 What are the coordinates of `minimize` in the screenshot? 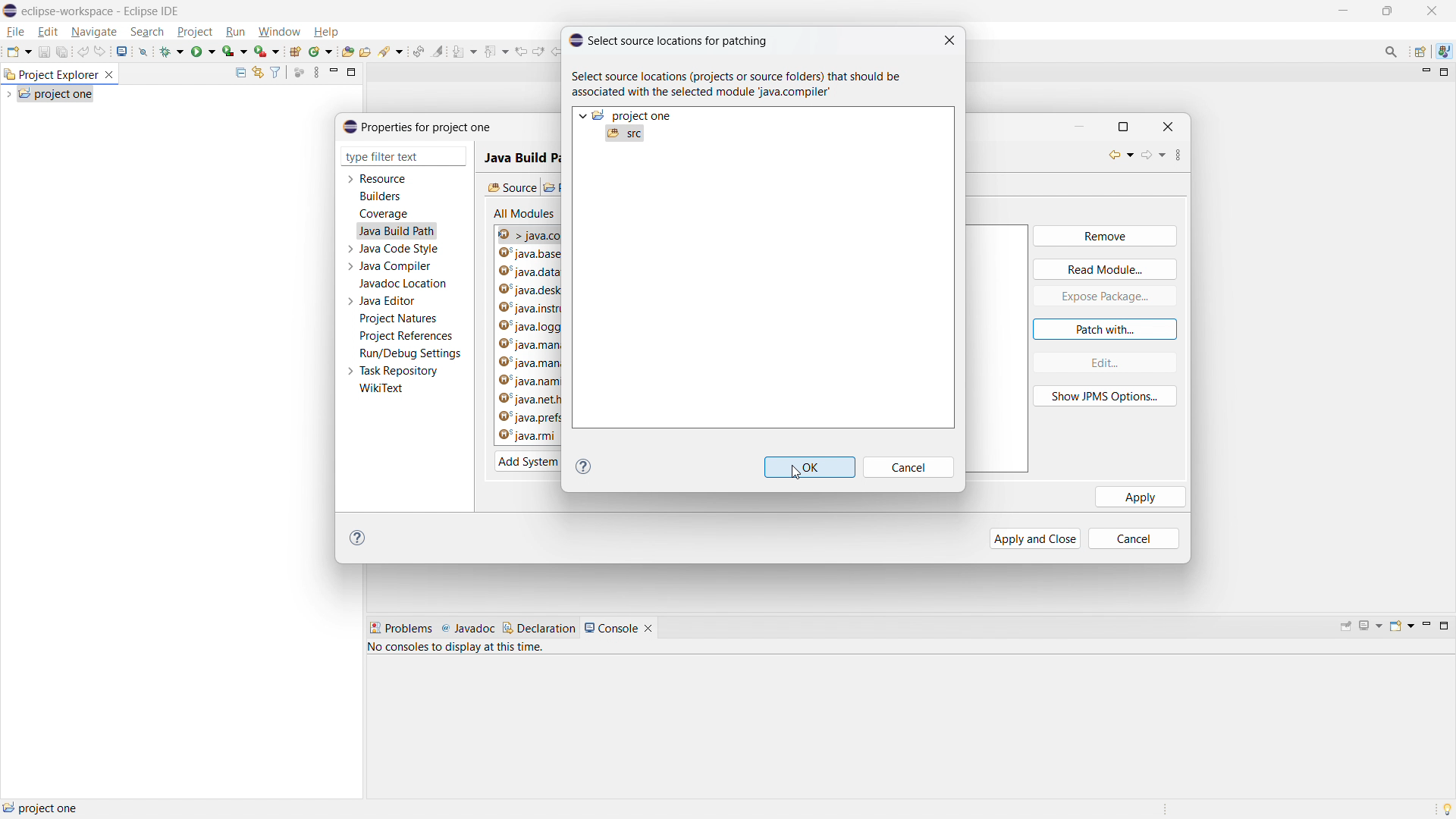 It's located at (334, 72).